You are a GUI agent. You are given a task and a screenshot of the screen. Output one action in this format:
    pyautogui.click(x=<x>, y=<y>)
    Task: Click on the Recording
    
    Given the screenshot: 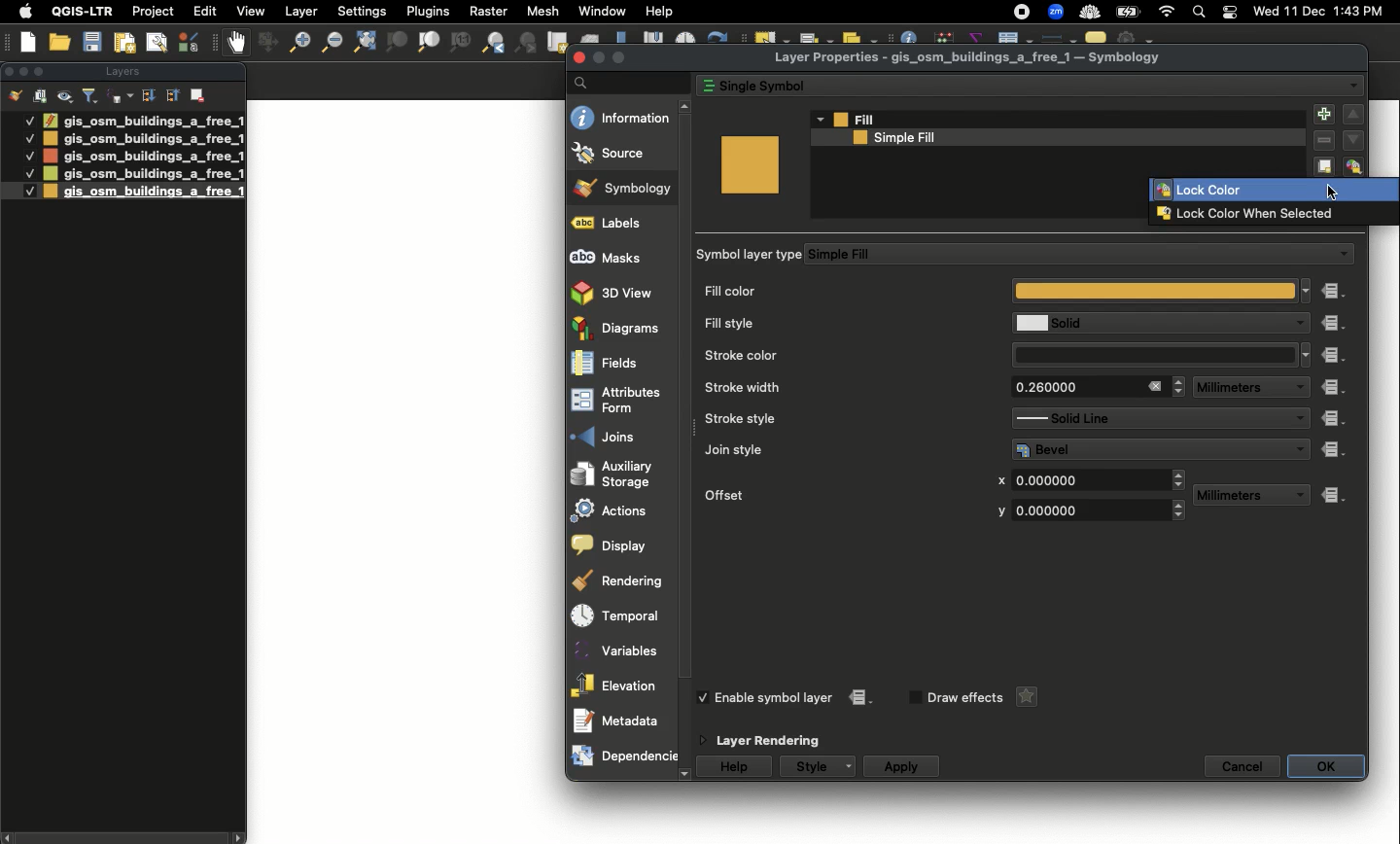 What is the action you would take?
    pyautogui.click(x=1022, y=13)
    